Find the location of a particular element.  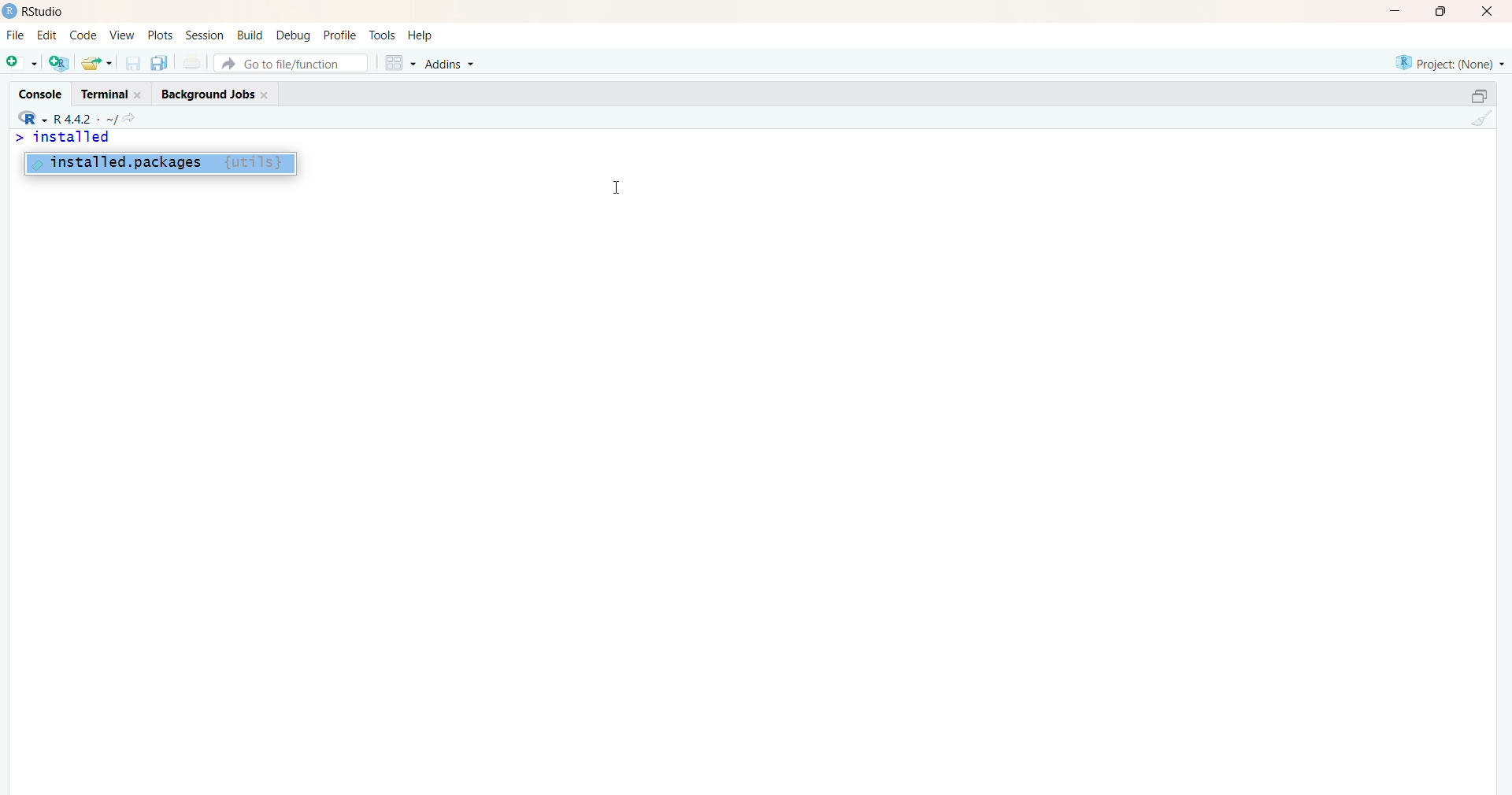

>console log is located at coordinates (180, 167).